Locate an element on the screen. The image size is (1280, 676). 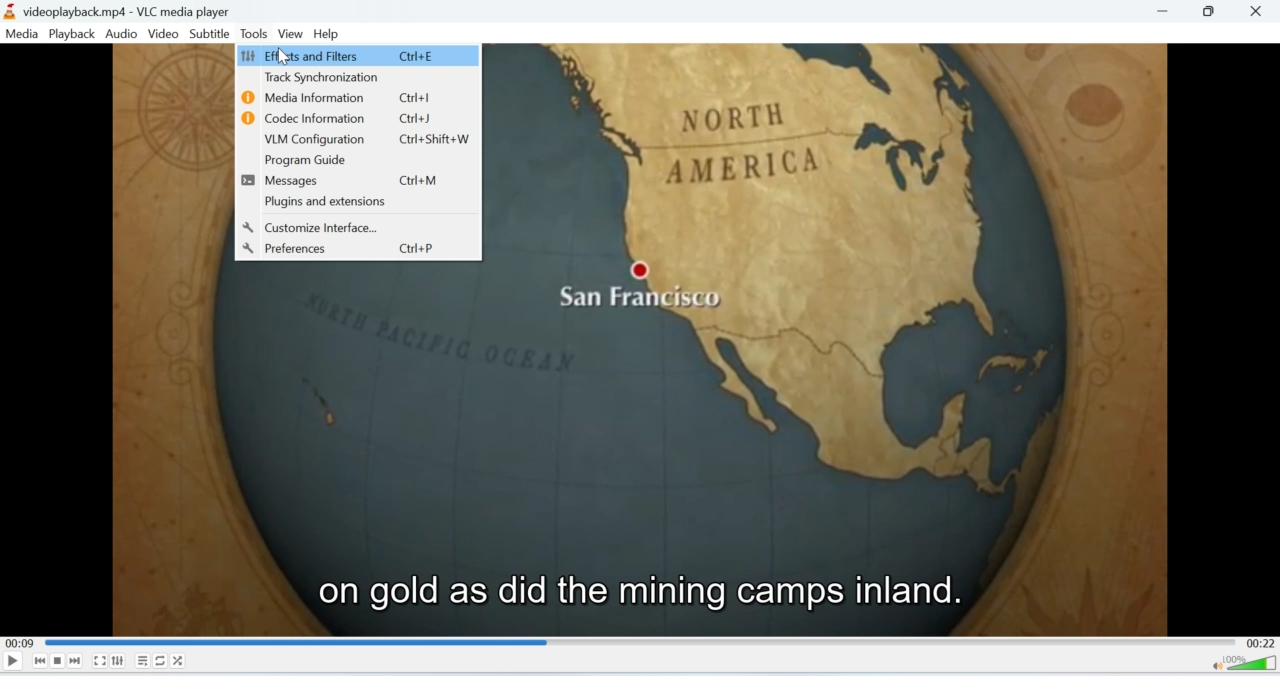
videoplayback.mp4  - vlc media player is located at coordinates (121, 11).